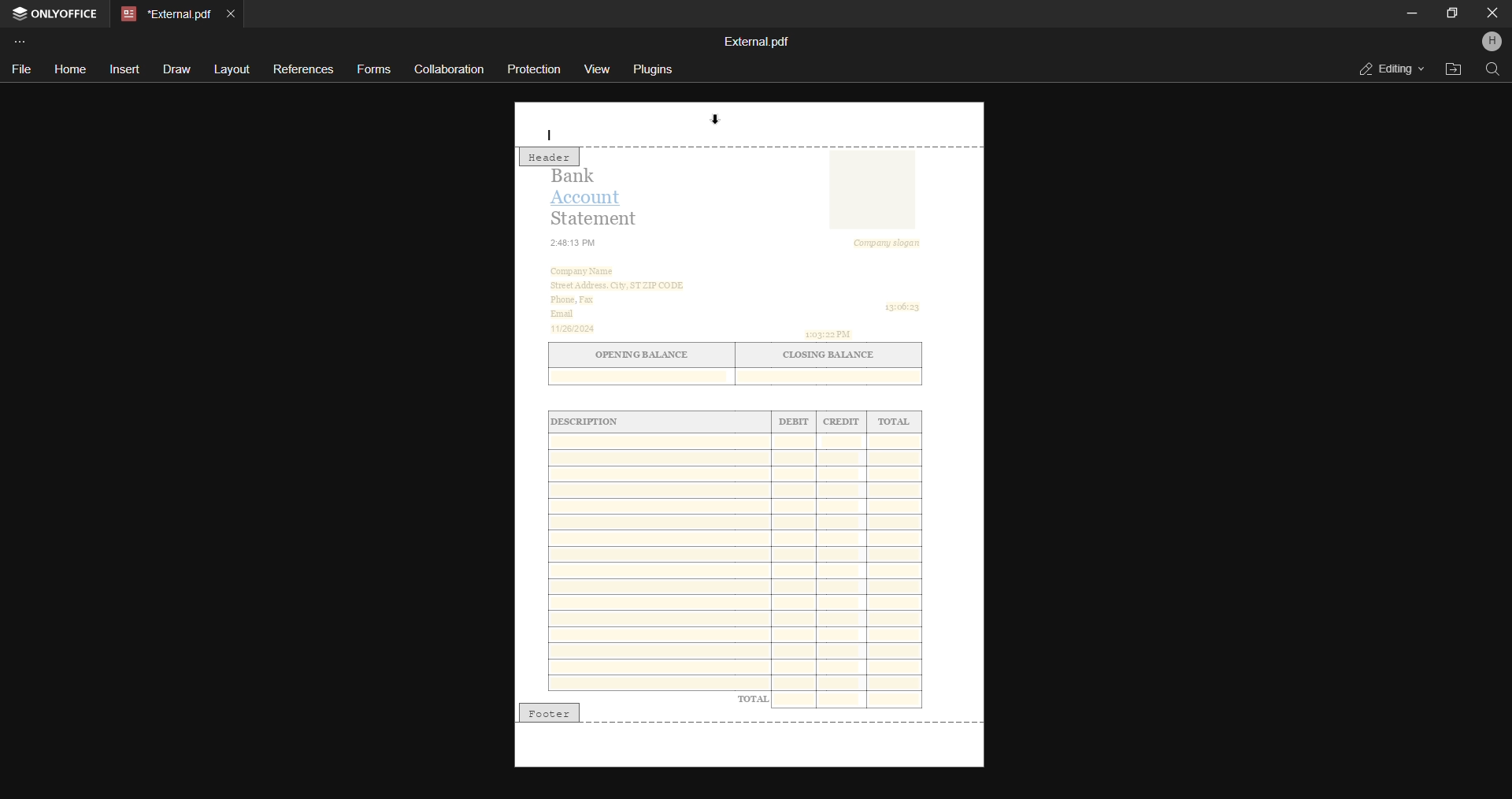 This screenshot has height=799, width=1512. Describe the element at coordinates (376, 70) in the screenshot. I see `forms` at that location.